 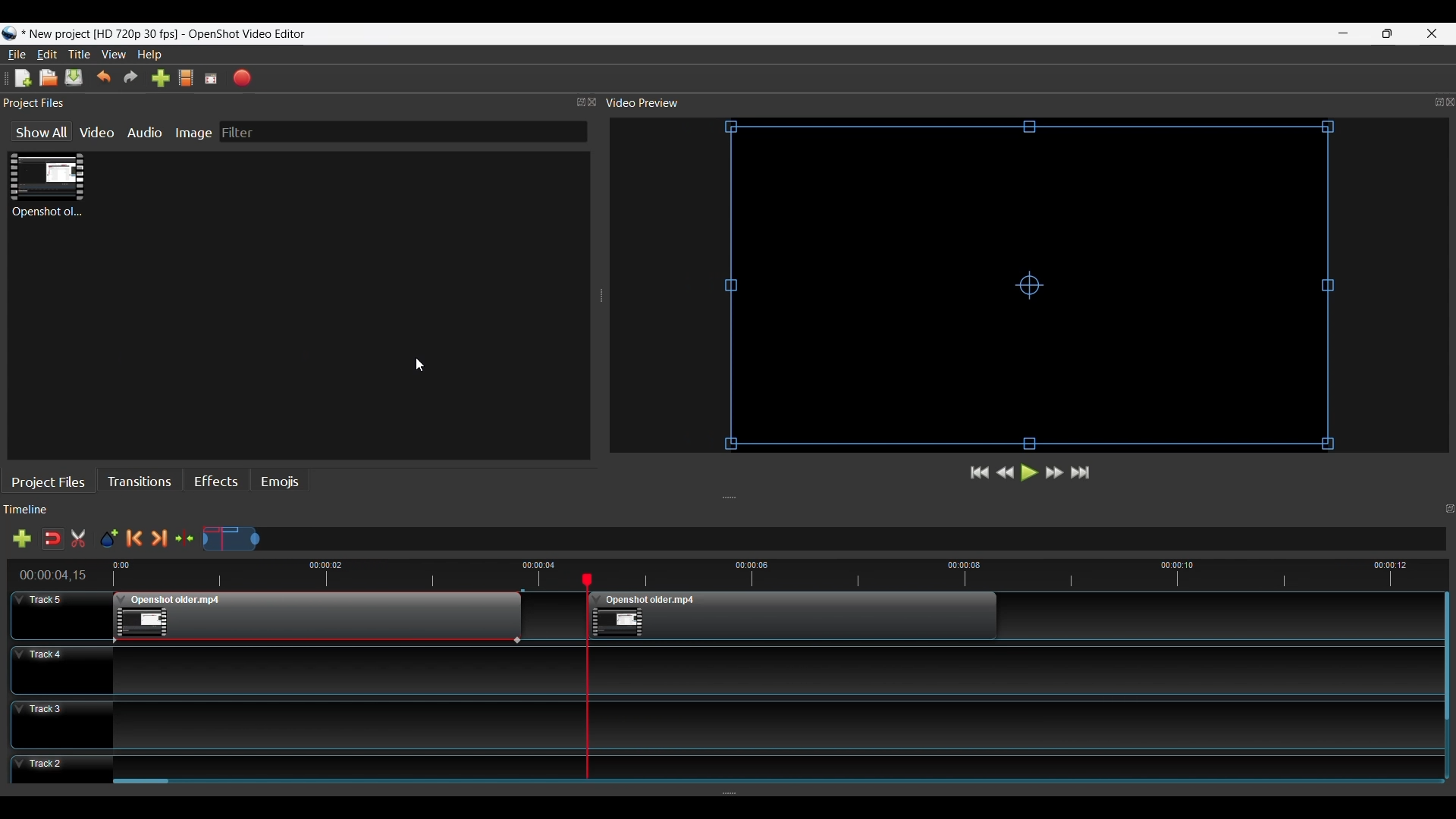 I want to click on Track Header, so click(x=61, y=614).